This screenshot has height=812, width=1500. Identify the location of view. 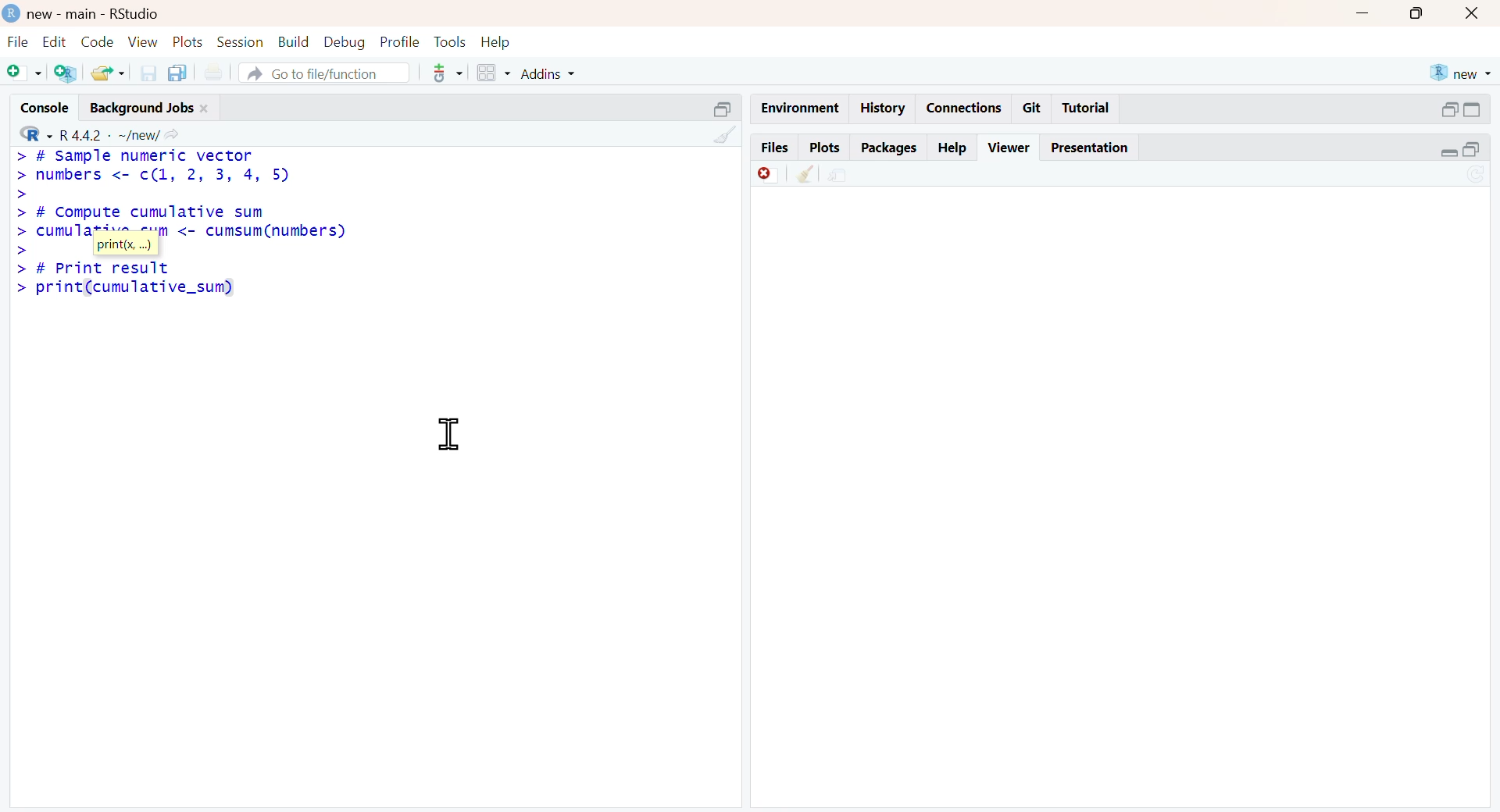
(144, 41).